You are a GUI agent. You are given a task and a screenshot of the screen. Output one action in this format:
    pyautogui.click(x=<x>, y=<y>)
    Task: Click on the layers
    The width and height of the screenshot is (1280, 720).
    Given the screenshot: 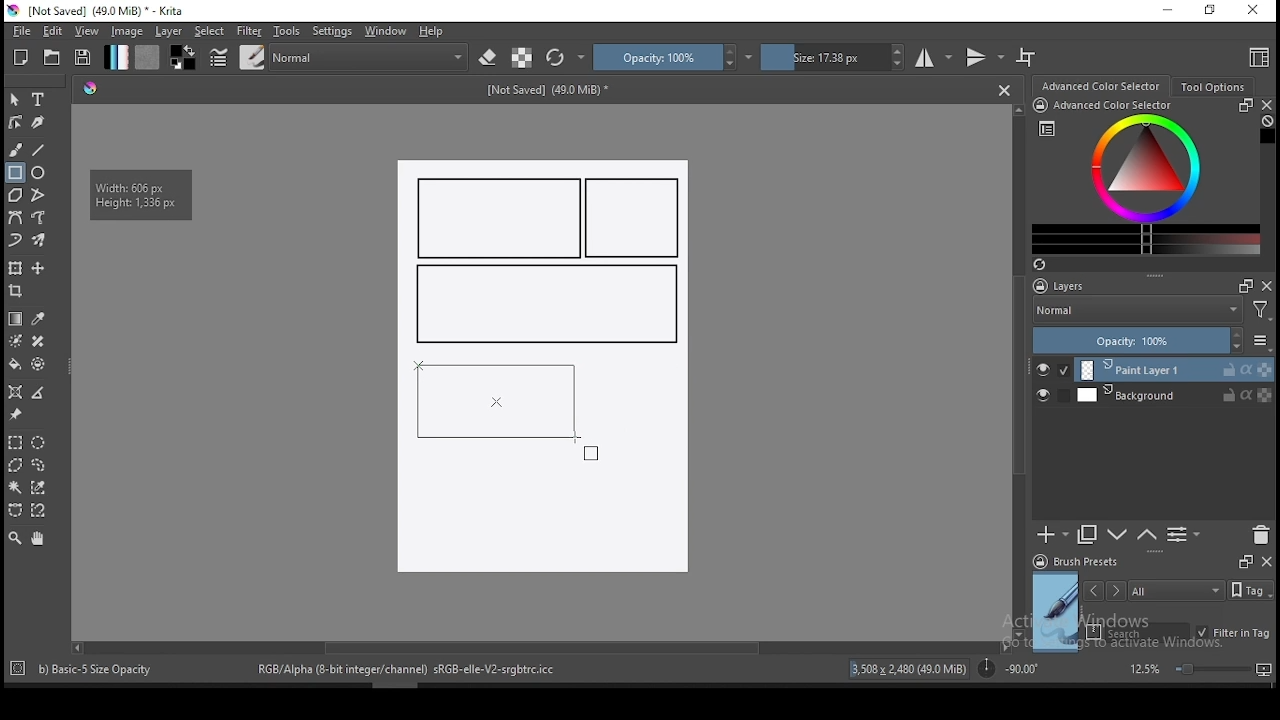 What is the action you would take?
    pyautogui.click(x=1065, y=287)
    